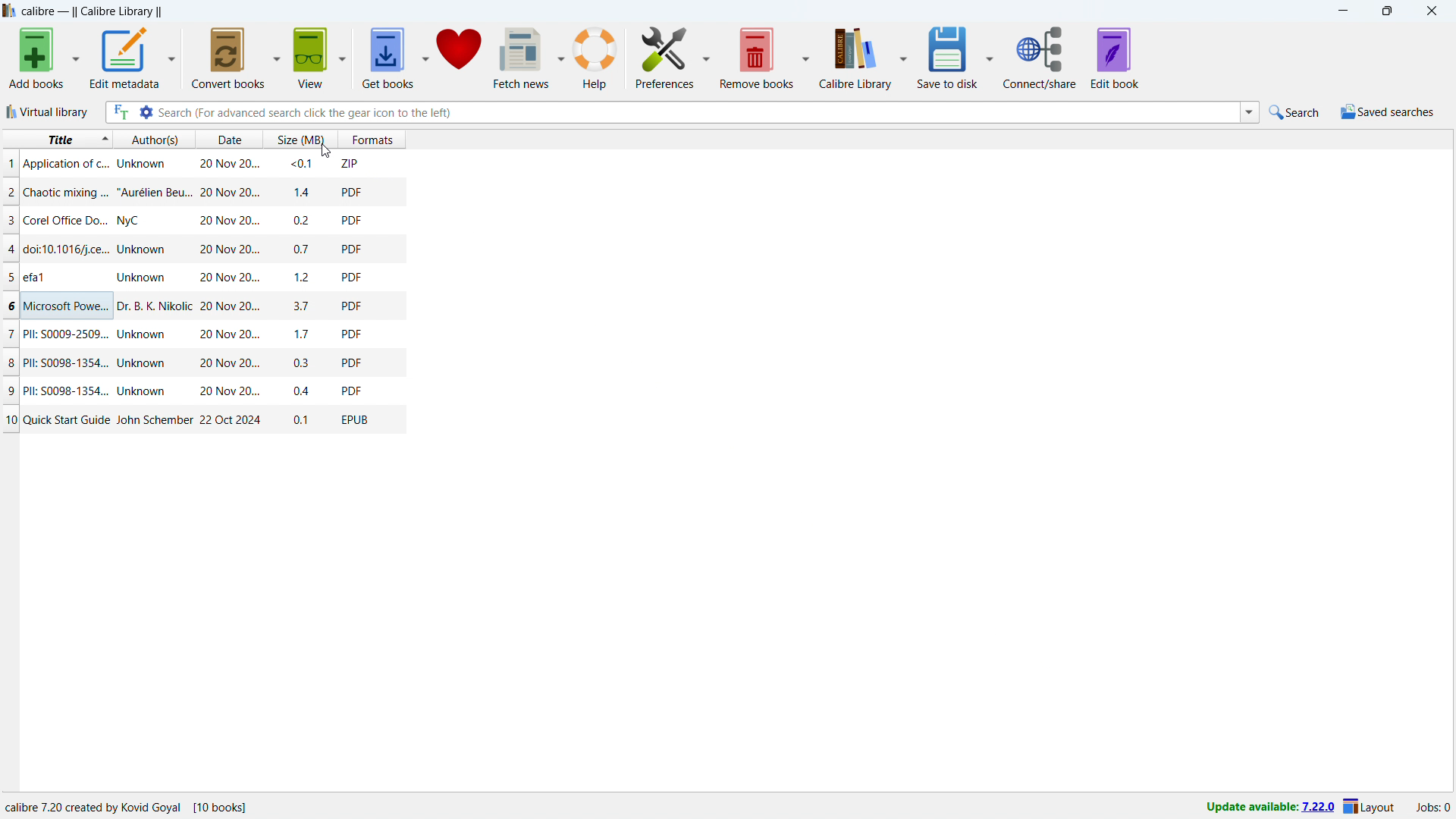  What do you see at coordinates (47, 278) in the screenshot?
I see `title` at bounding box center [47, 278].